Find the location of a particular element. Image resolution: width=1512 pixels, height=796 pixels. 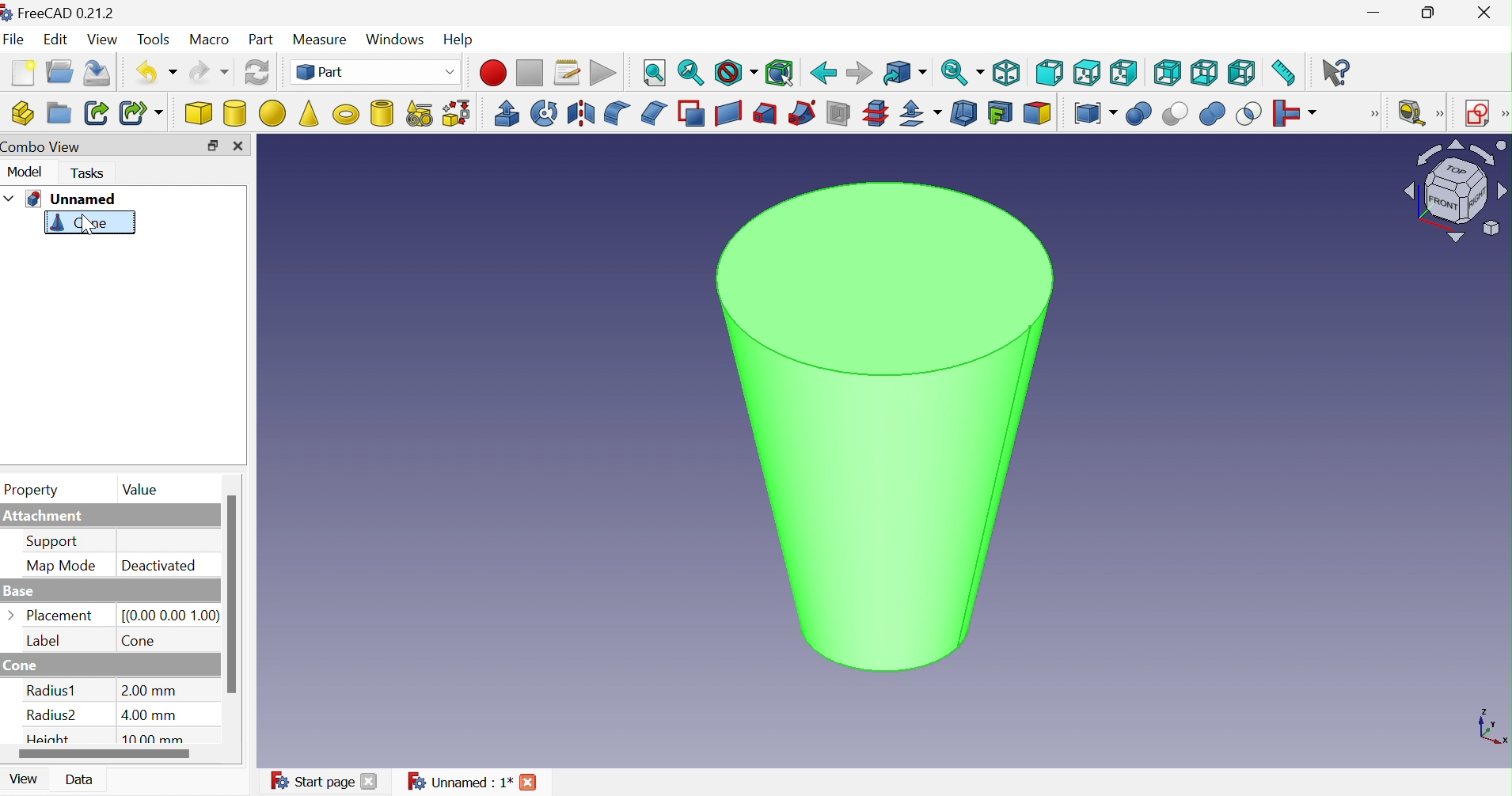

Create projection on surface is located at coordinates (998, 112).